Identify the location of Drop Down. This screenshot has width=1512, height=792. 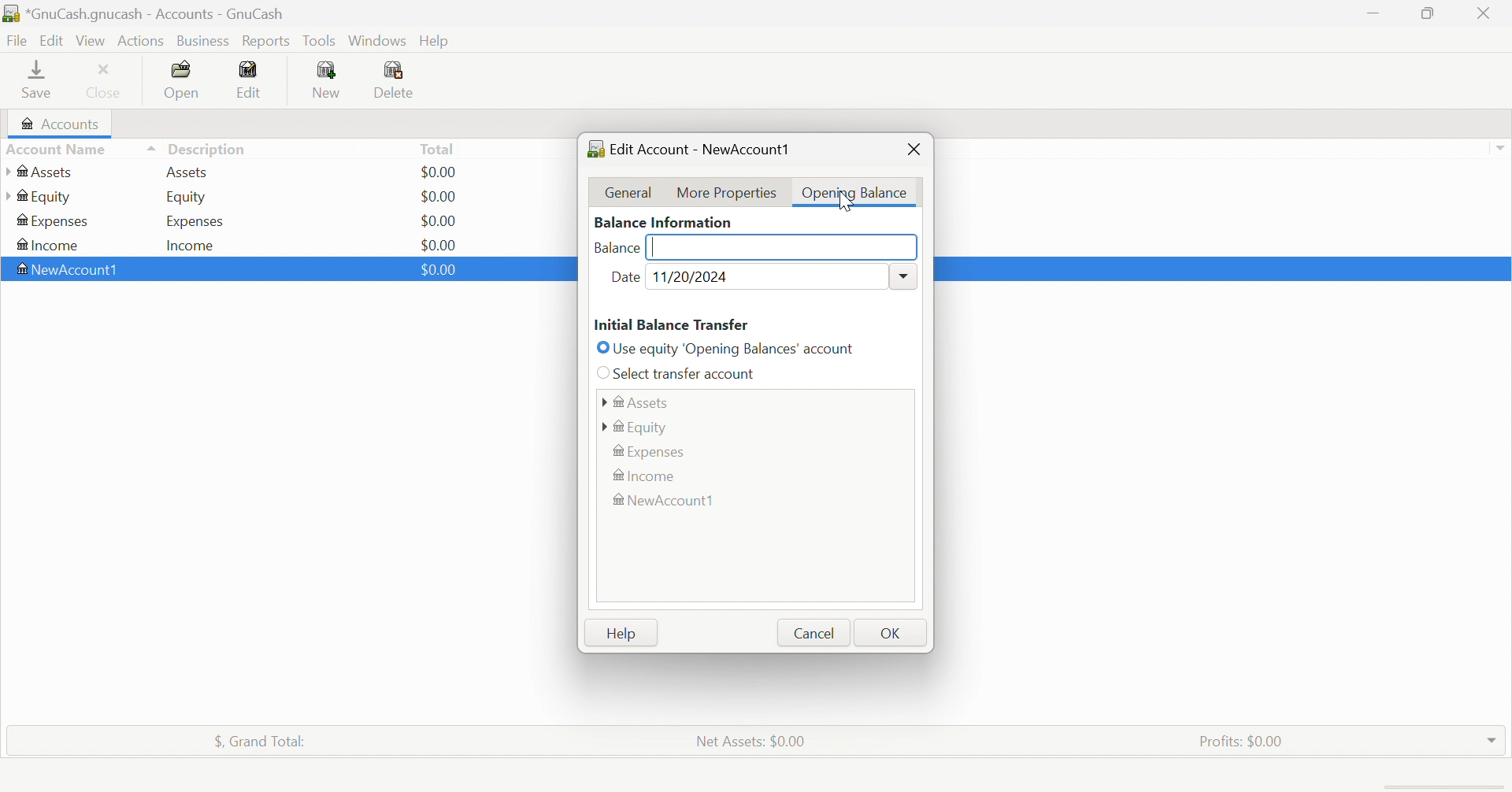
(1492, 740).